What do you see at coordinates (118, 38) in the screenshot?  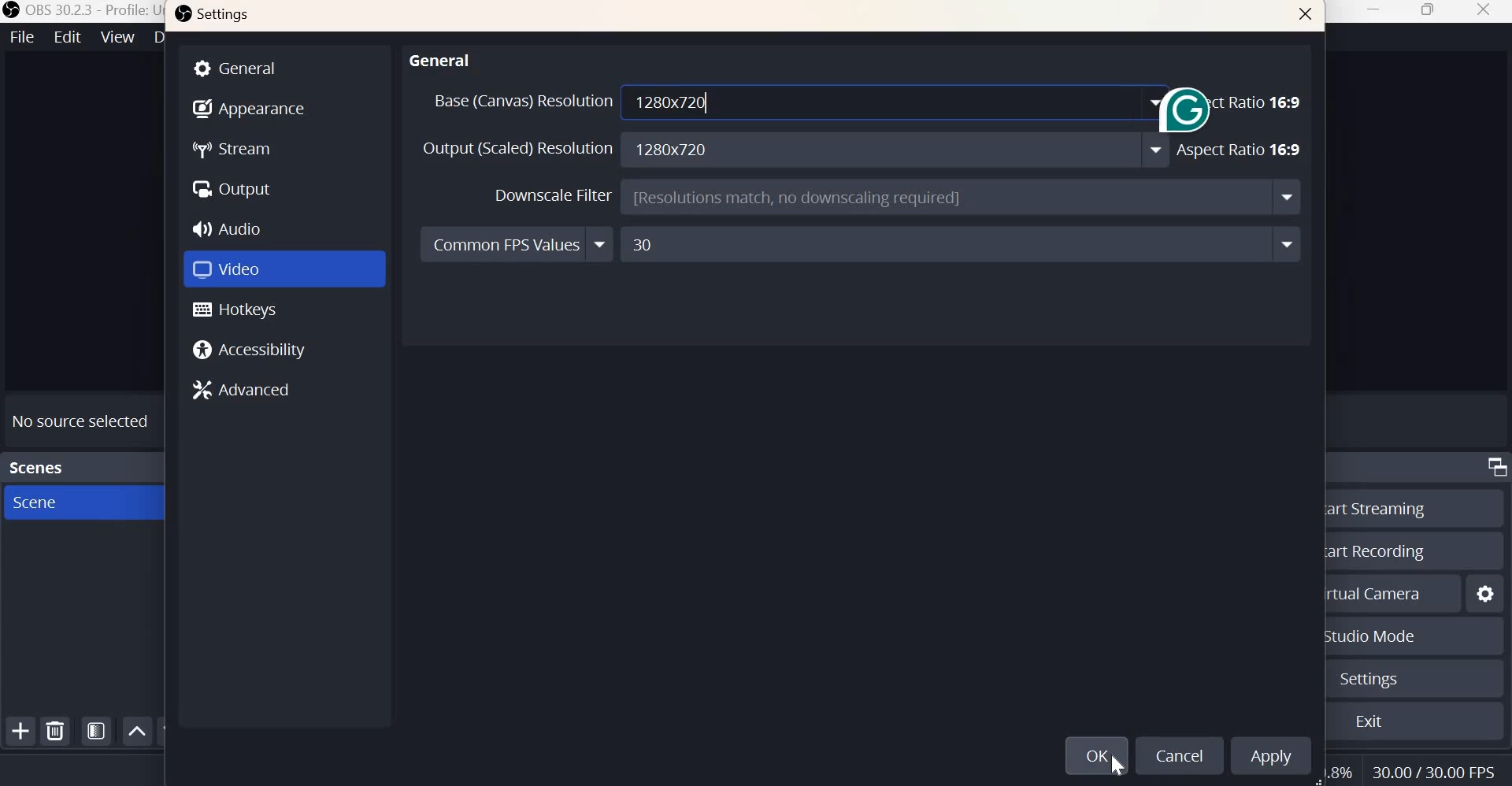 I see `View` at bounding box center [118, 38].